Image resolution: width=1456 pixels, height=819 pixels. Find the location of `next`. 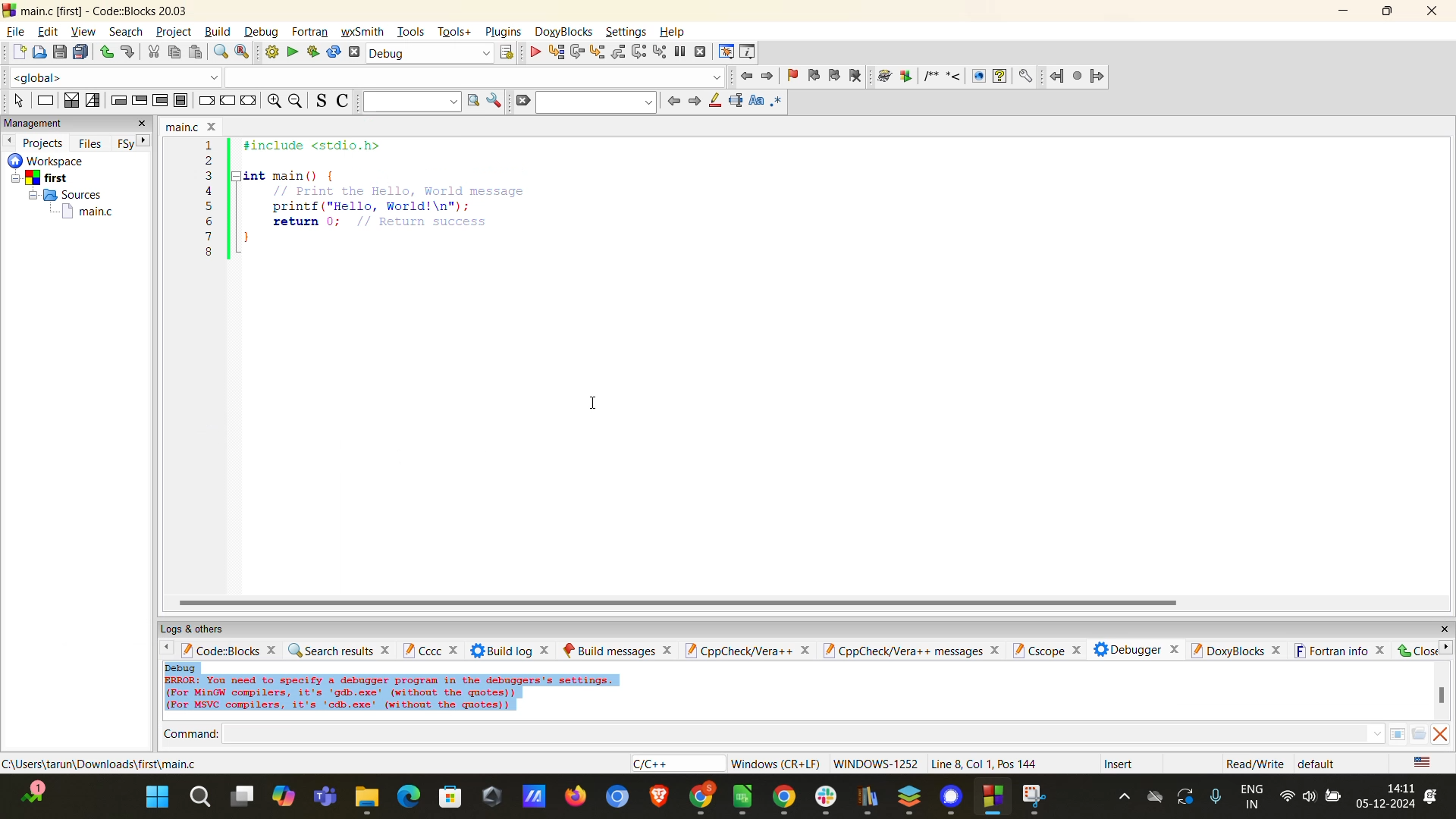

next is located at coordinates (695, 103).